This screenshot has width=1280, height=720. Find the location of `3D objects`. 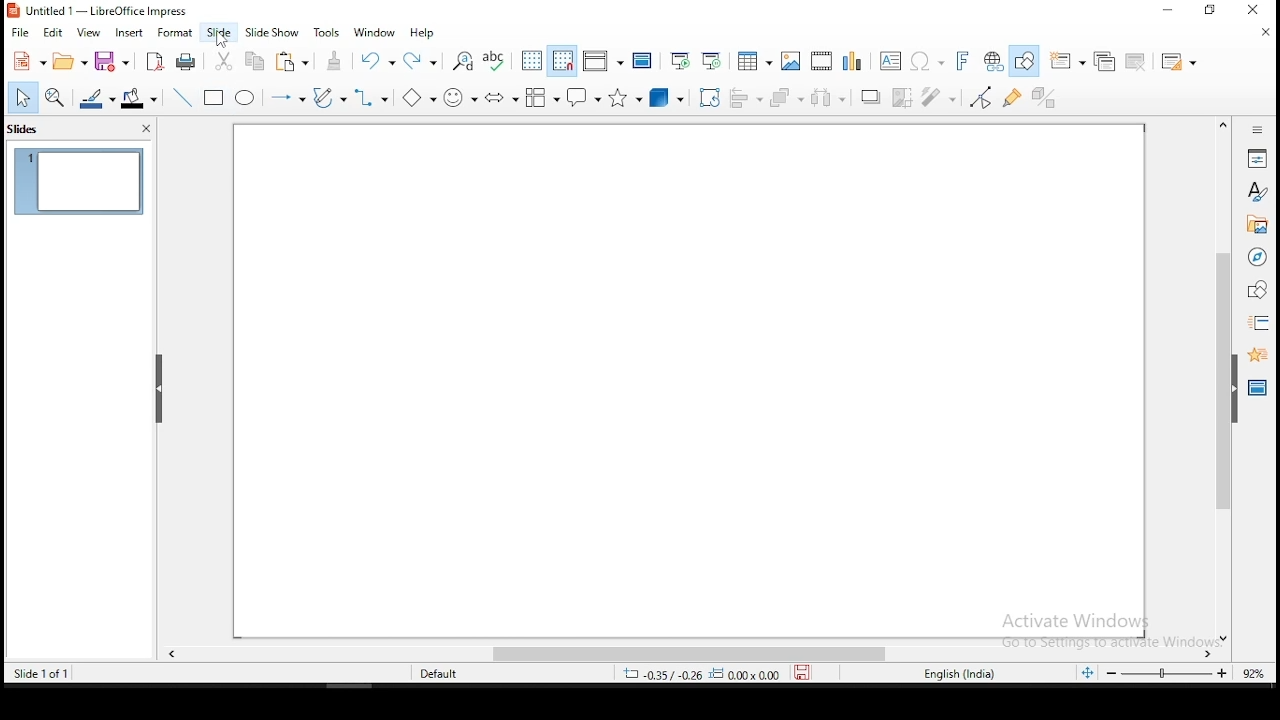

3D objects is located at coordinates (666, 99).